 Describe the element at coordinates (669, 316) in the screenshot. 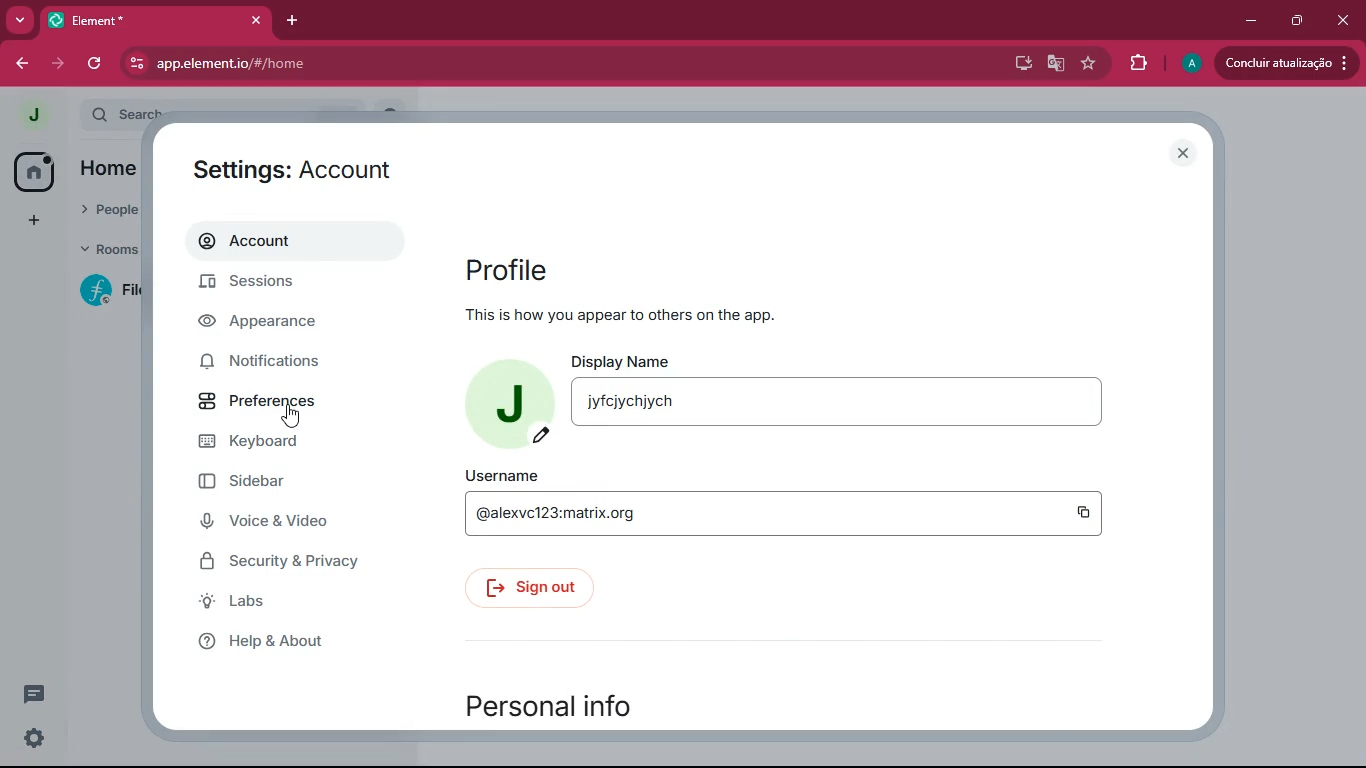

I see `Now, let's help you get started` at that location.